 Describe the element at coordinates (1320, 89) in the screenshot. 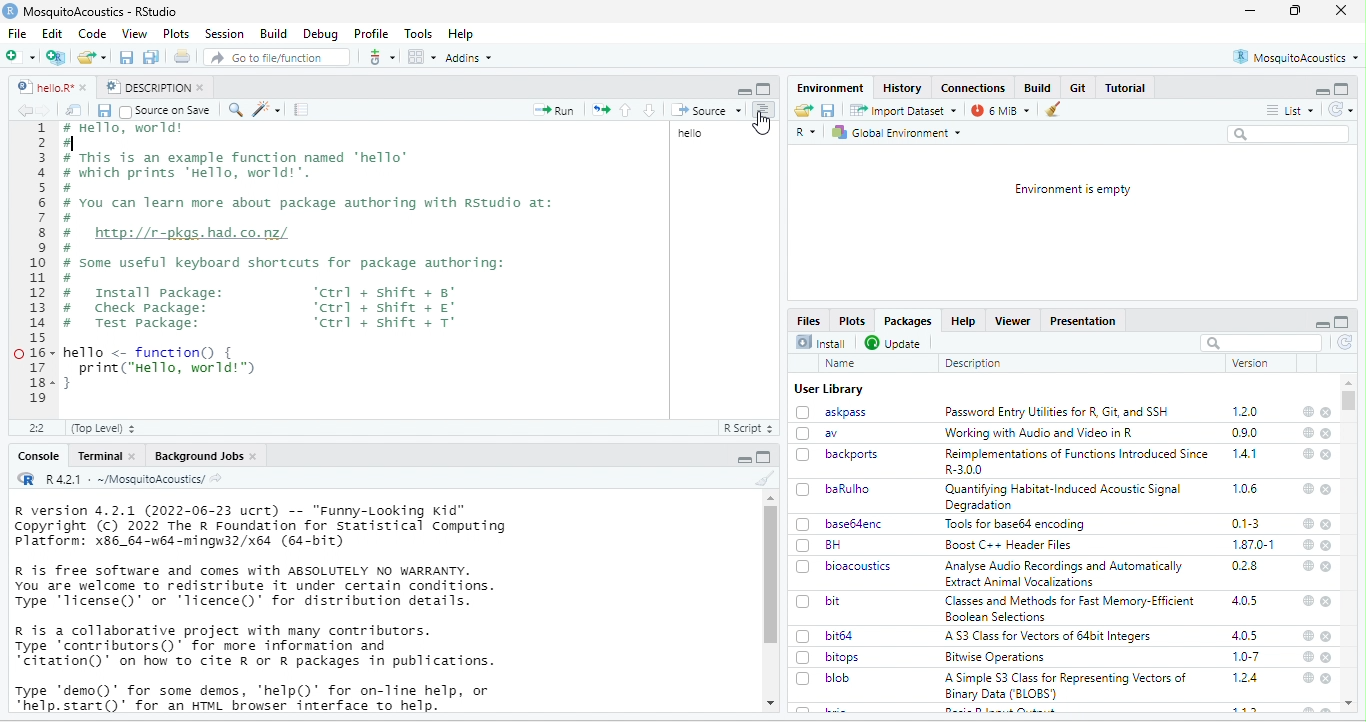

I see `minimize` at that location.